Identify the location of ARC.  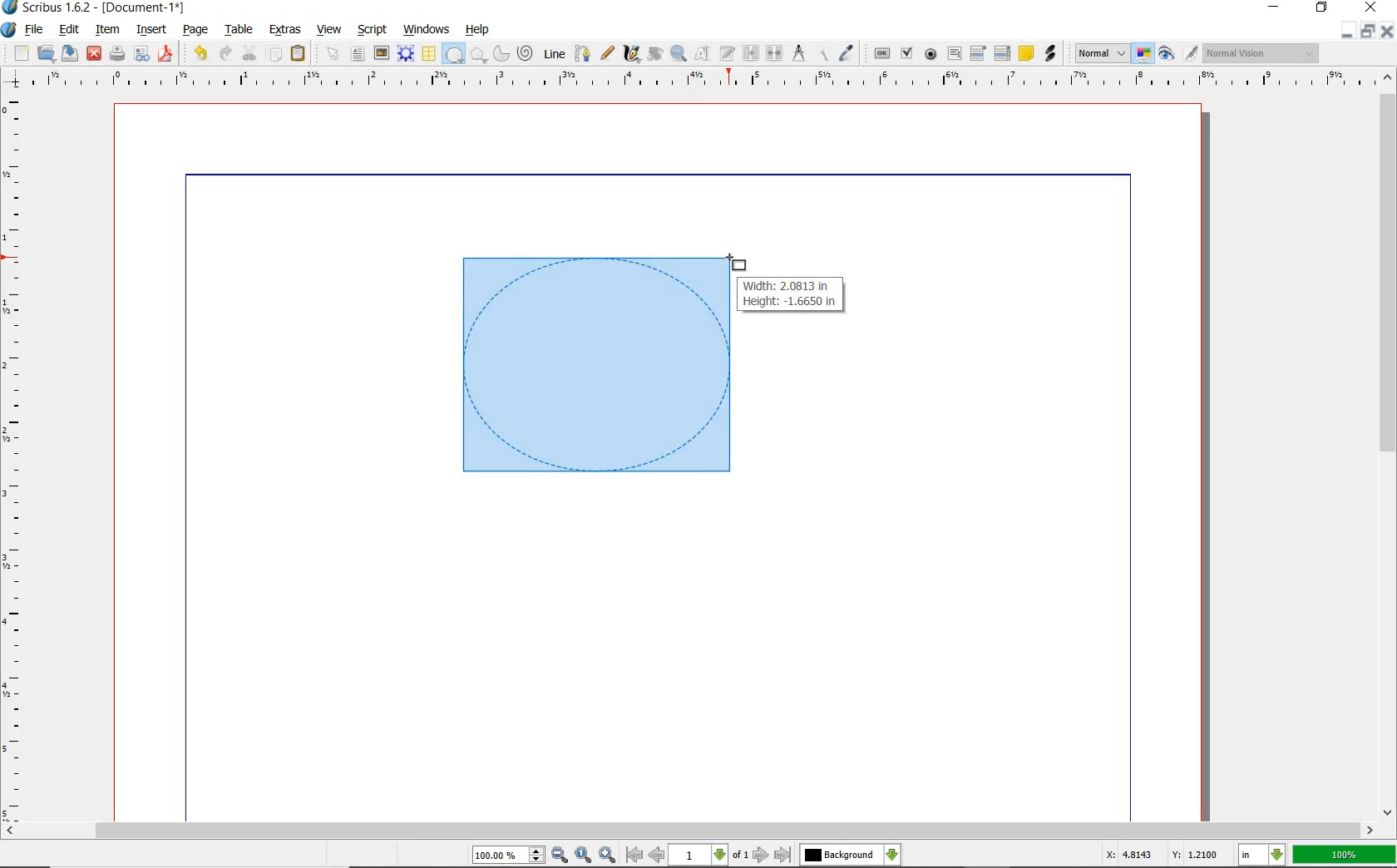
(500, 55).